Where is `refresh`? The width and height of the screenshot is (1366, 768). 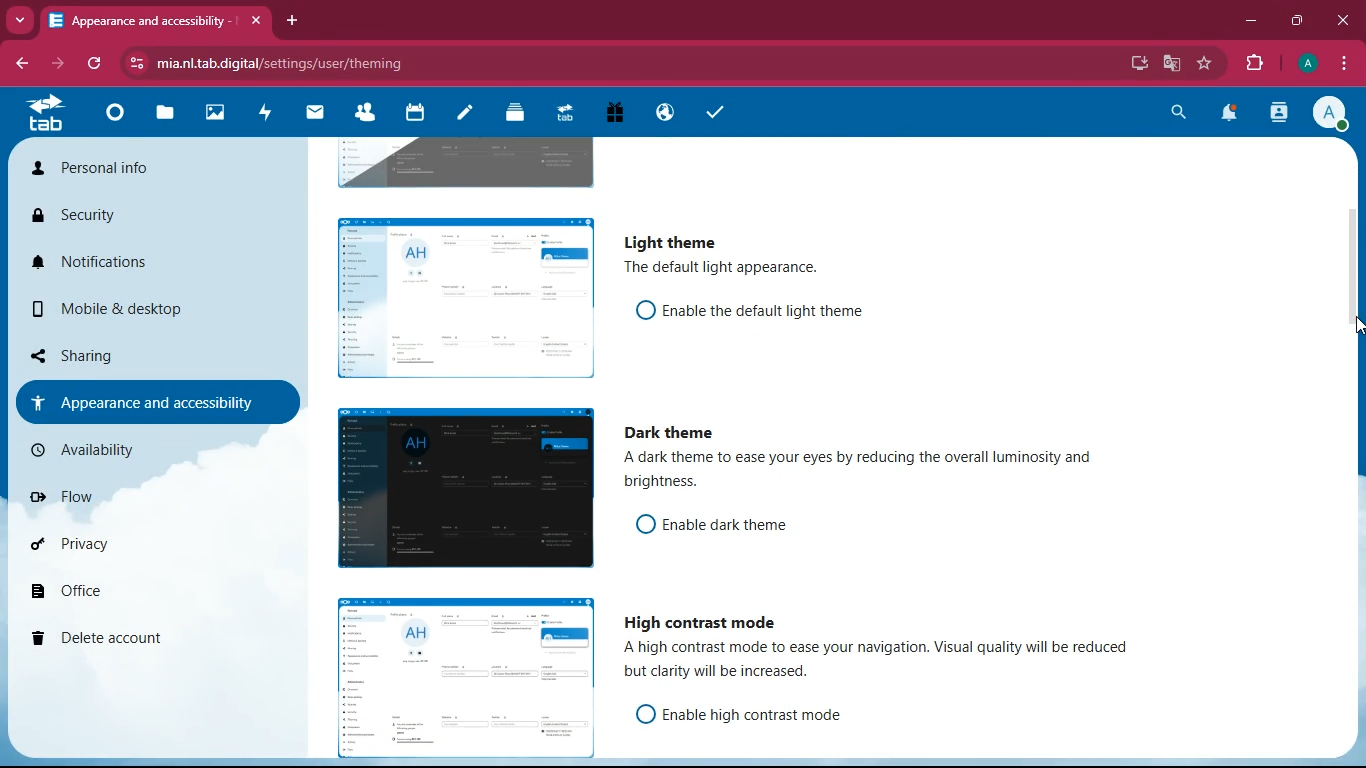
refresh is located at coordinates (91, 65).